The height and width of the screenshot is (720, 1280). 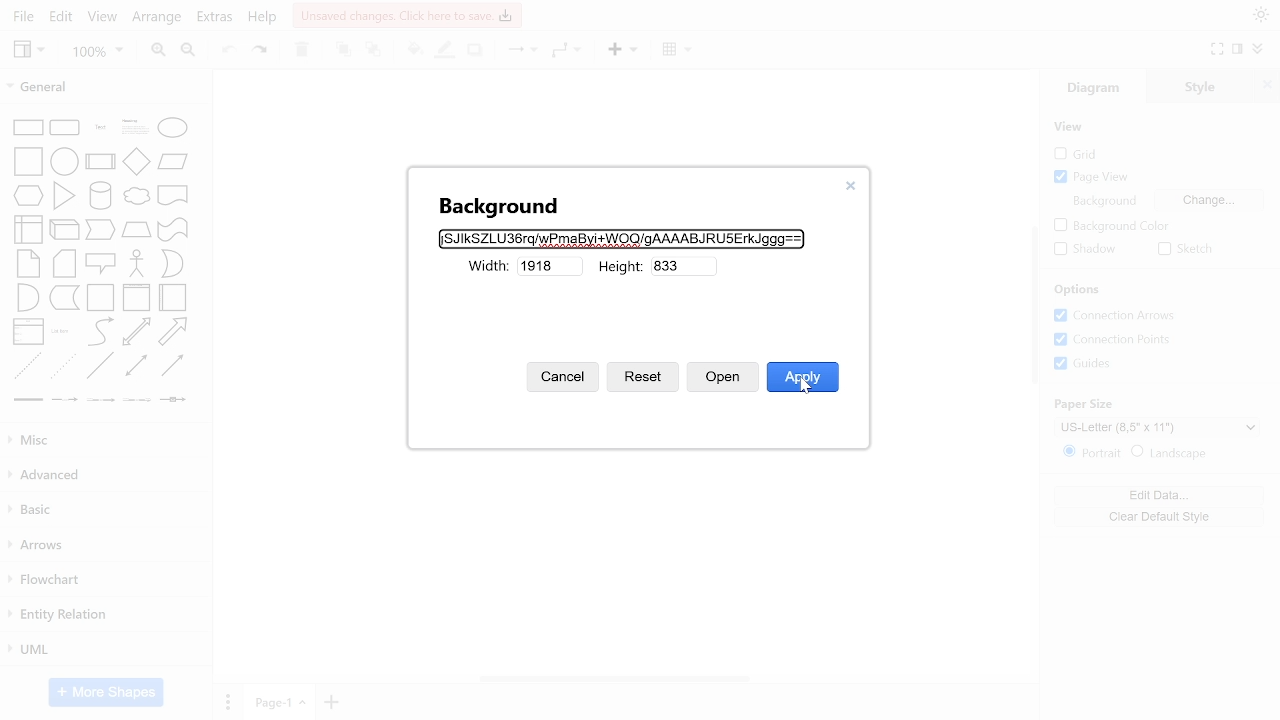 What do you see at coordinates (99, 332) in the screenshot?
I see `general shapes` at bounding box center [99, 332].